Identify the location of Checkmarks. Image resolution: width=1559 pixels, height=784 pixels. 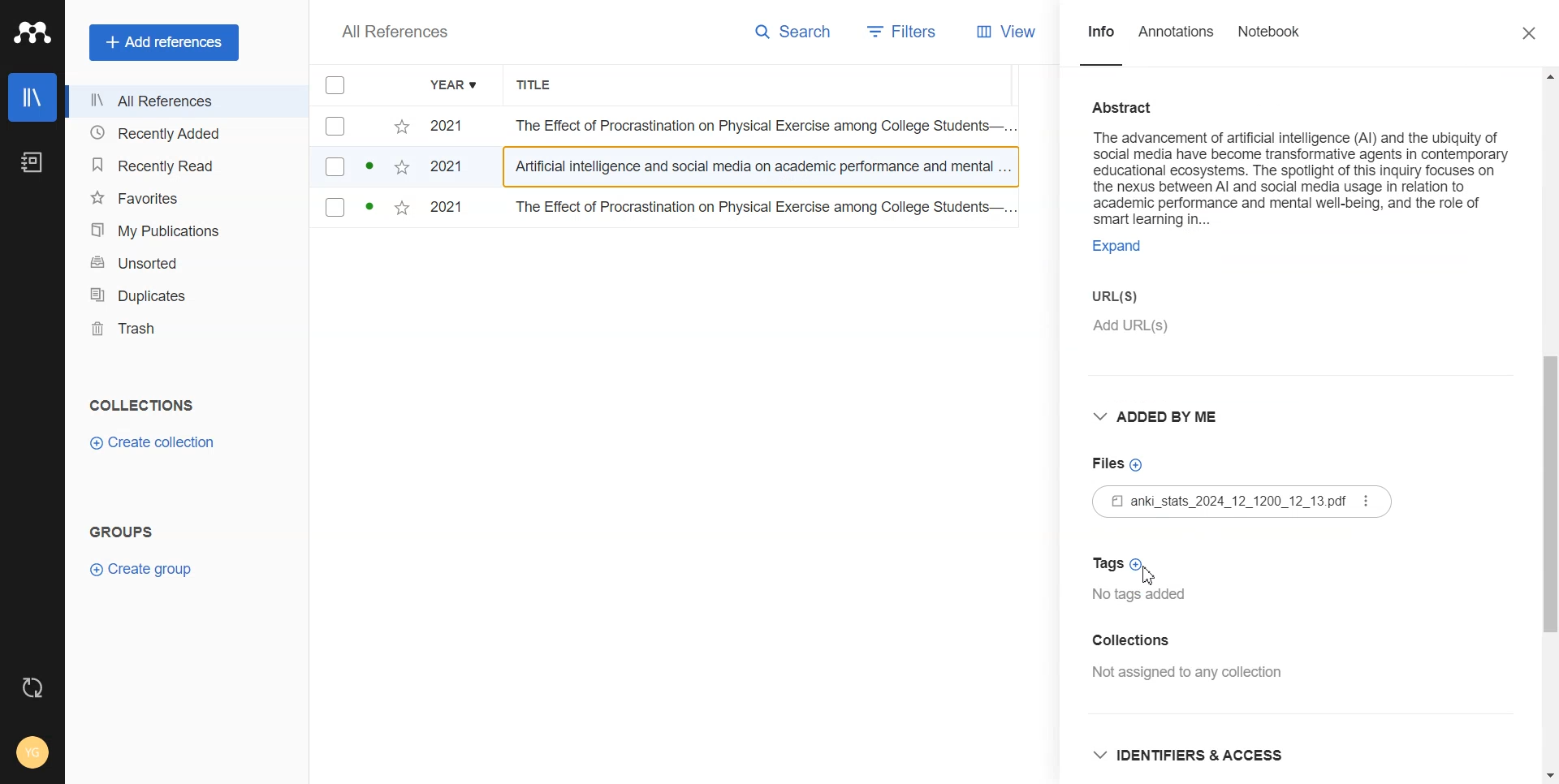
(336, 86).